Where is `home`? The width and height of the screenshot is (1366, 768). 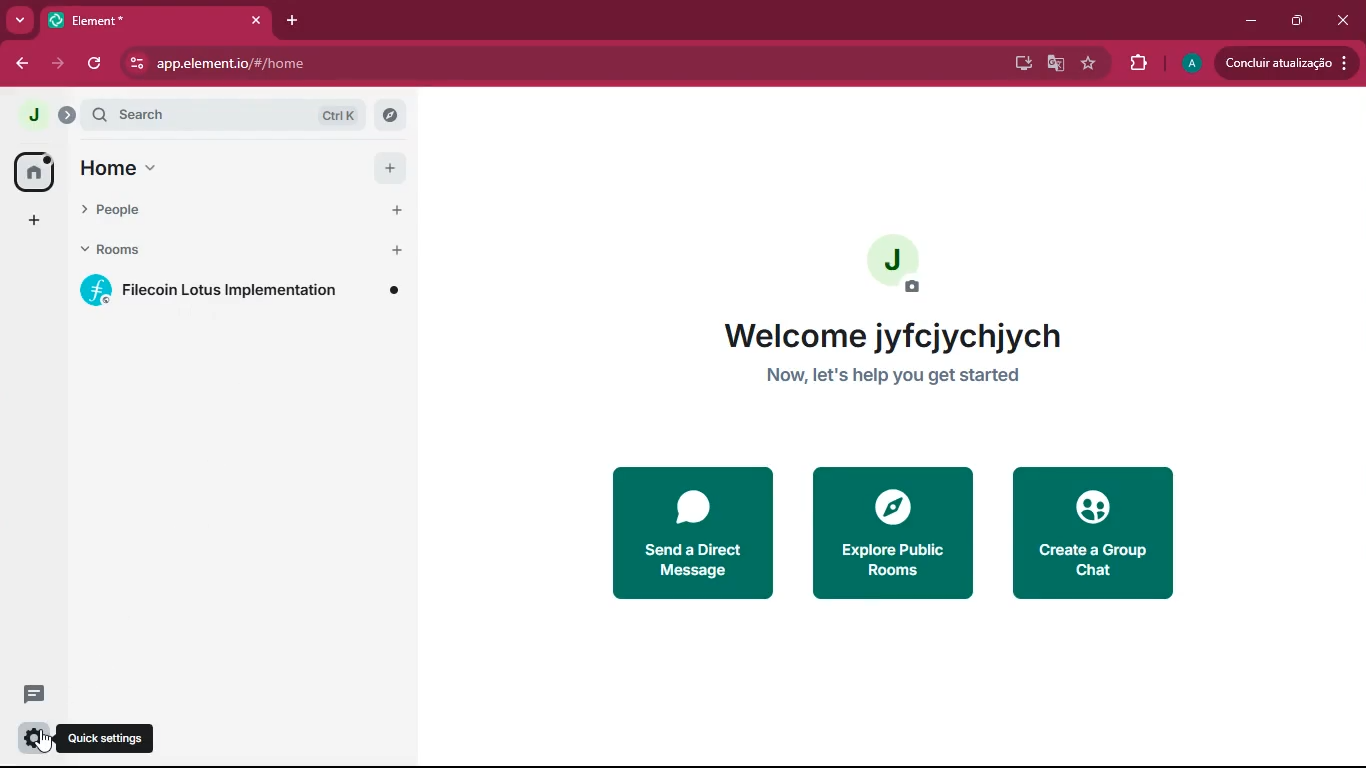
home is located at coordinates (27, 170).